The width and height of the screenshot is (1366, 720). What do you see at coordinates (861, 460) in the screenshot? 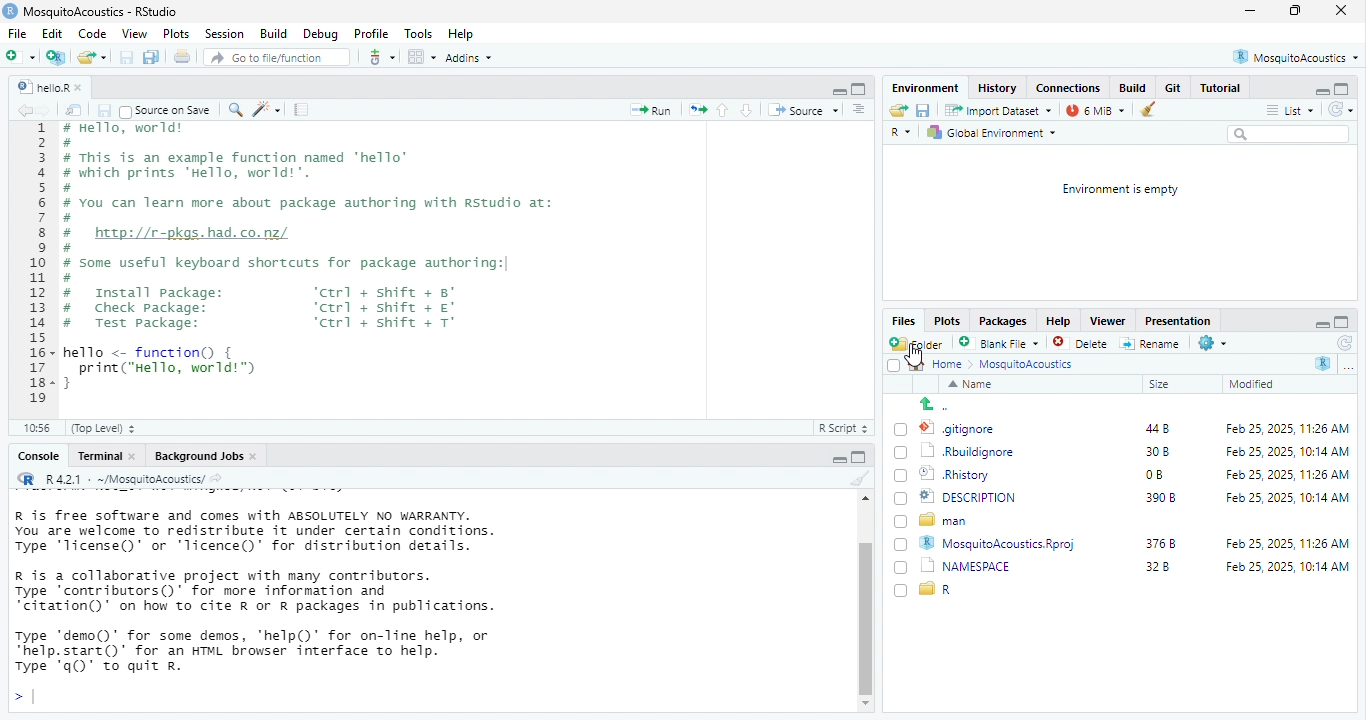
I see `hide console` at bounding box center [861, 460].